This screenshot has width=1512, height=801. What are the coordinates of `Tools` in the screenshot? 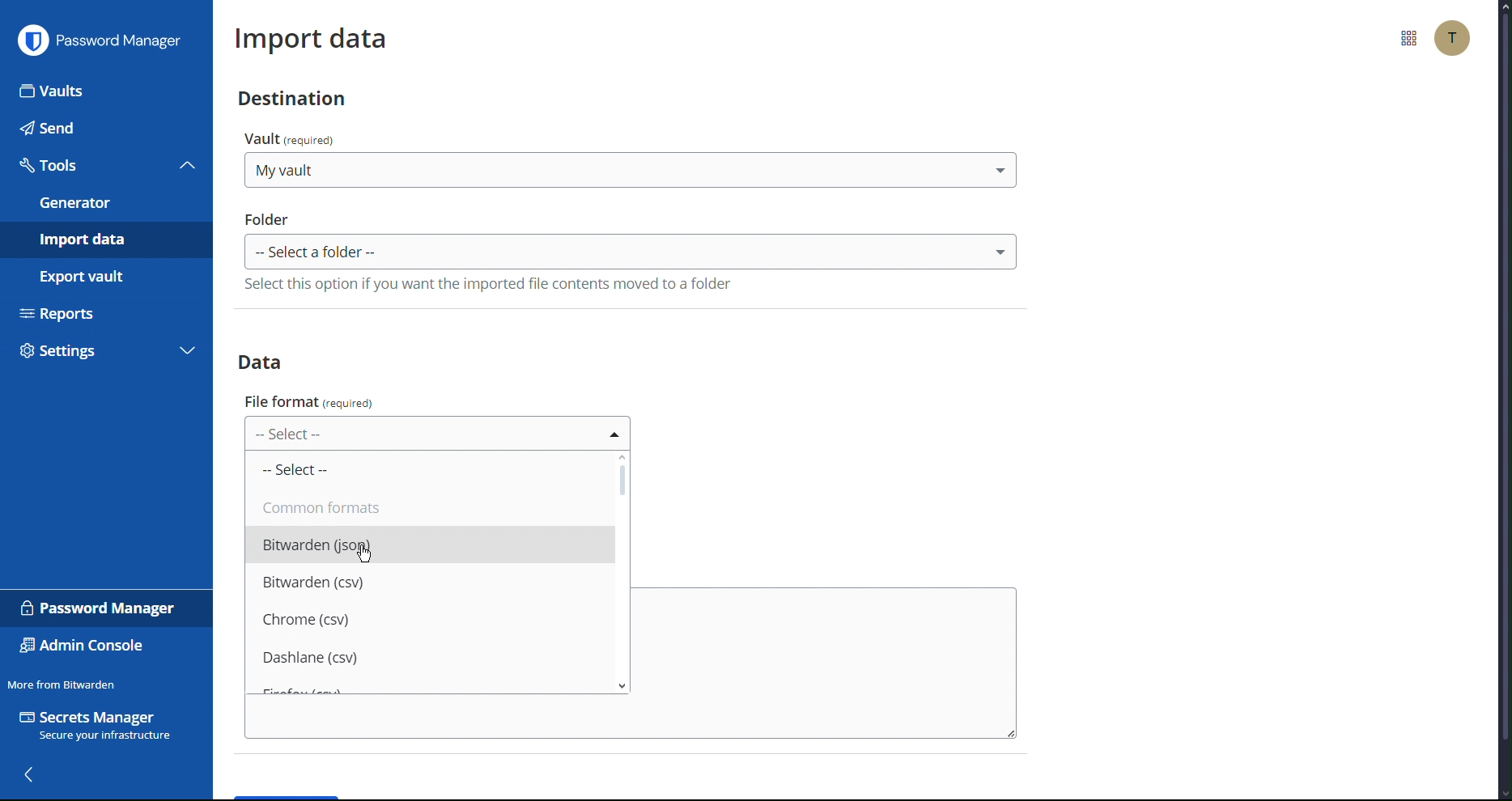 It's located at (86, 165).